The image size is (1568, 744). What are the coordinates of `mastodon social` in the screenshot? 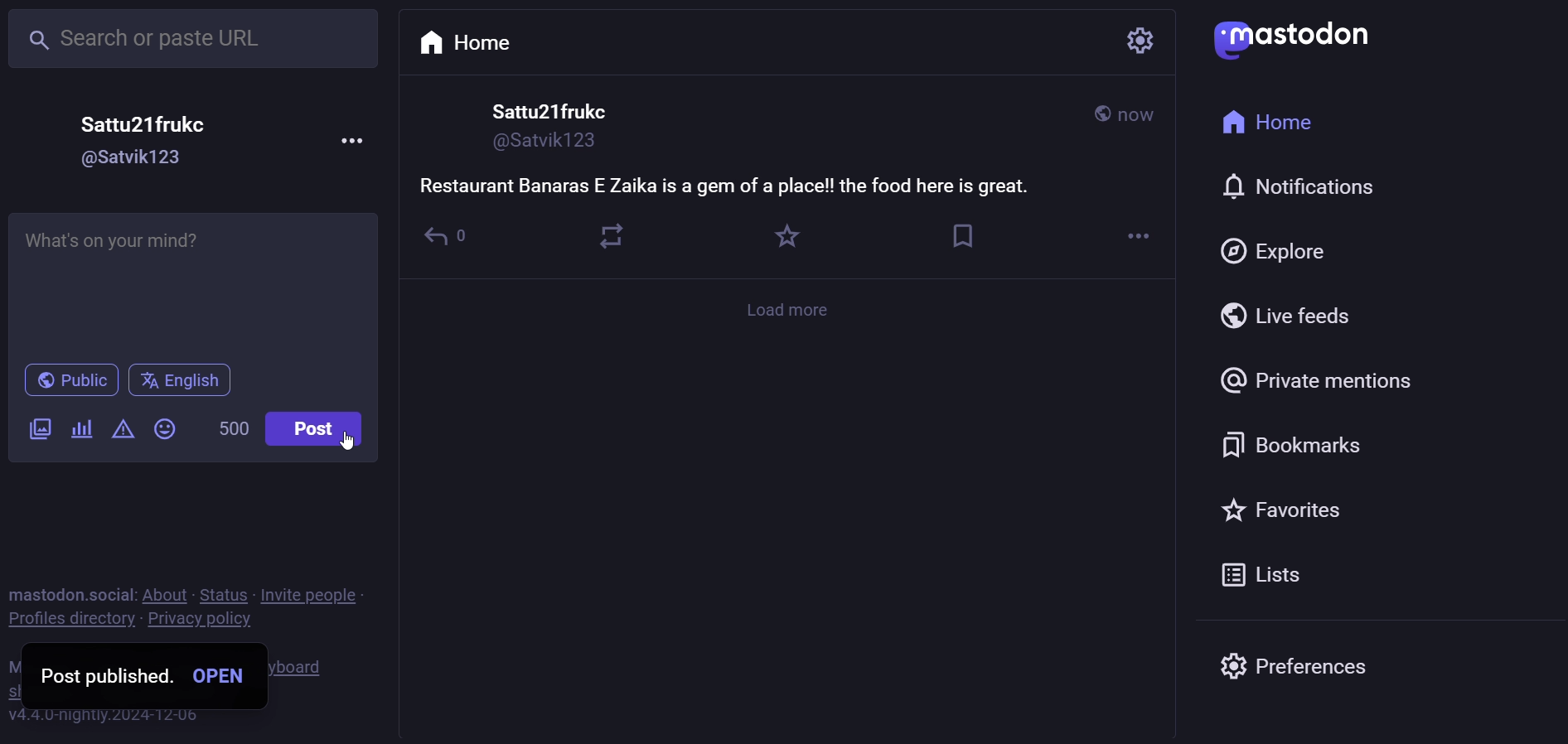 It's located at (72, 594).